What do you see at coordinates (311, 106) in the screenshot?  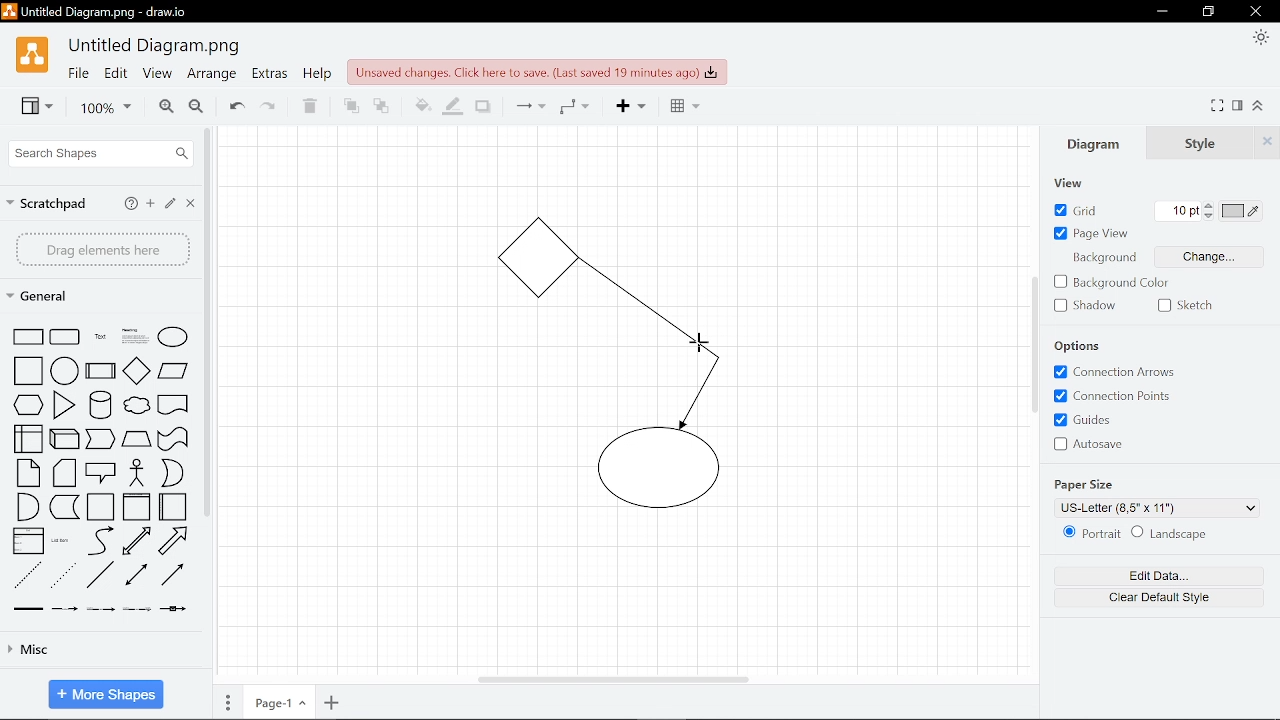 I see `Delete` at bounding box center [311, 106].